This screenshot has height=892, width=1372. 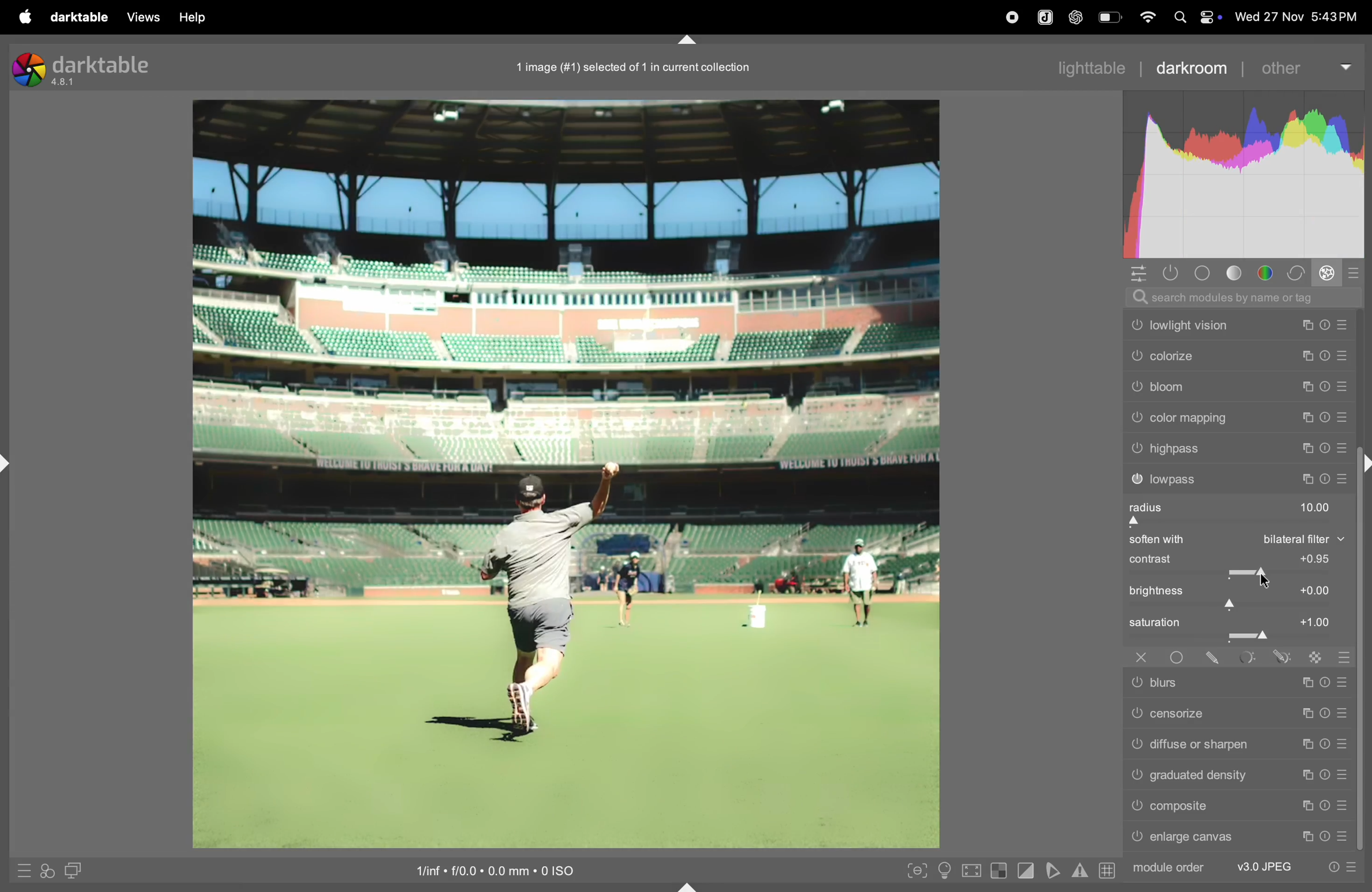 What do you see at coordinates (1235, 629) in the screenshot?
I see `saturation` at bounding box center [1235, 629].